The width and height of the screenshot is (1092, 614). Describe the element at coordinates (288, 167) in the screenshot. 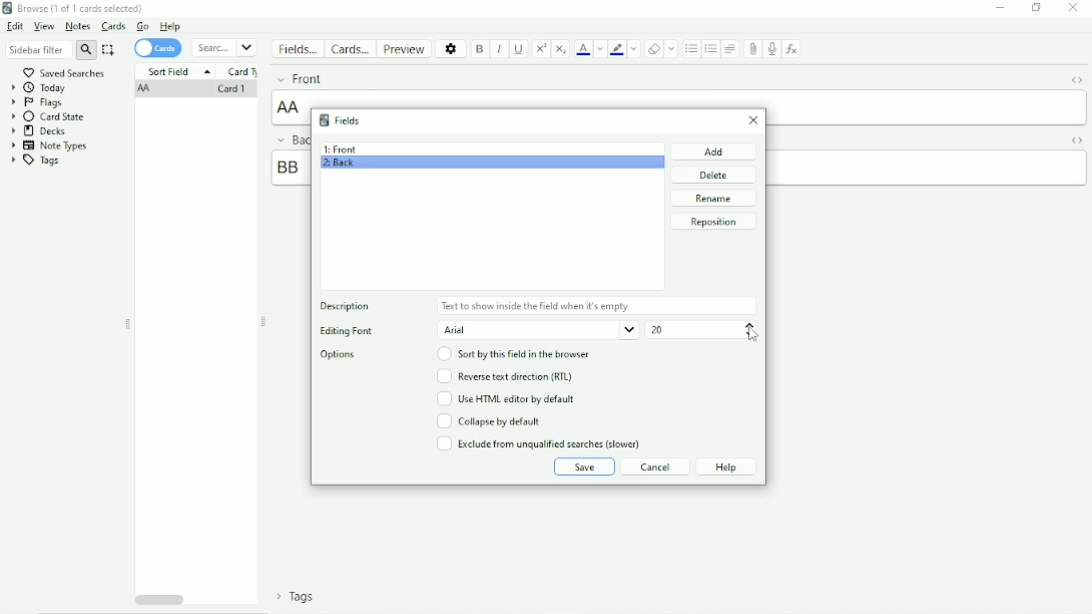

I see `BB` at that location.